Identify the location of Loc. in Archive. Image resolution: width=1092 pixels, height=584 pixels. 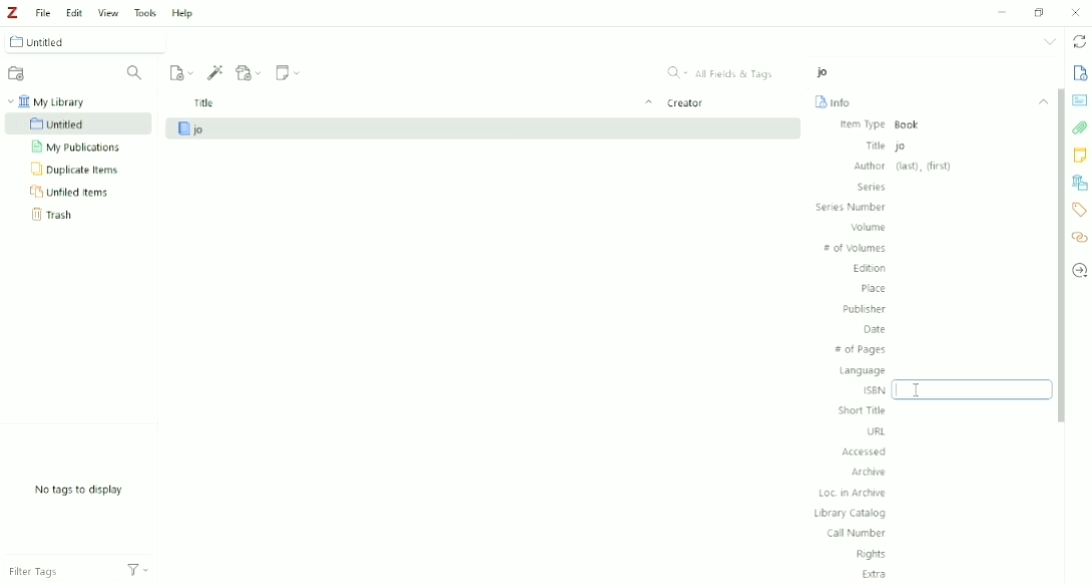
(853, 494).